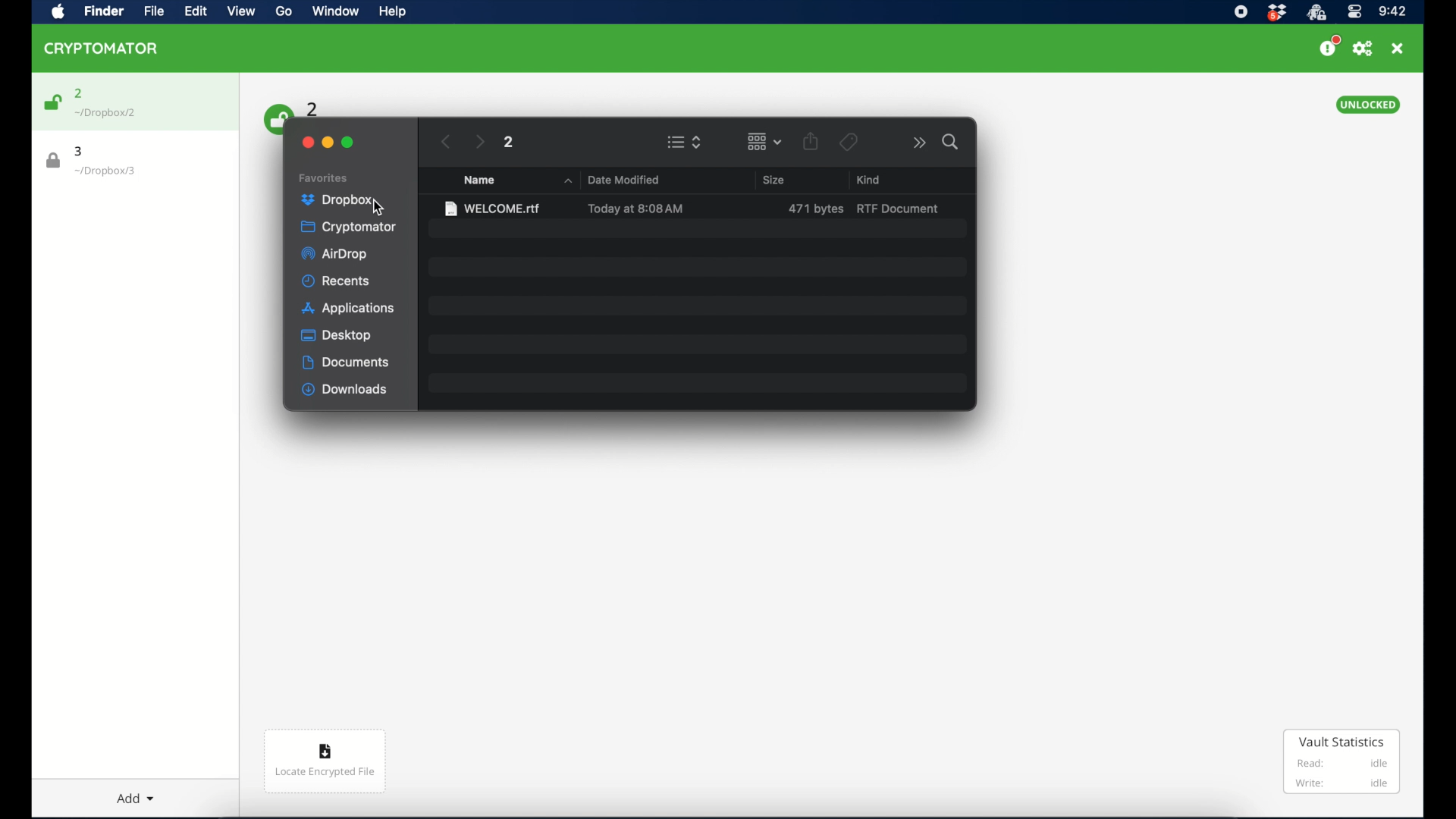 This screenshot has height=819, width=1456. Describe the element at coordinates (1398, 49) in the screenshot. I see `close` at that location.